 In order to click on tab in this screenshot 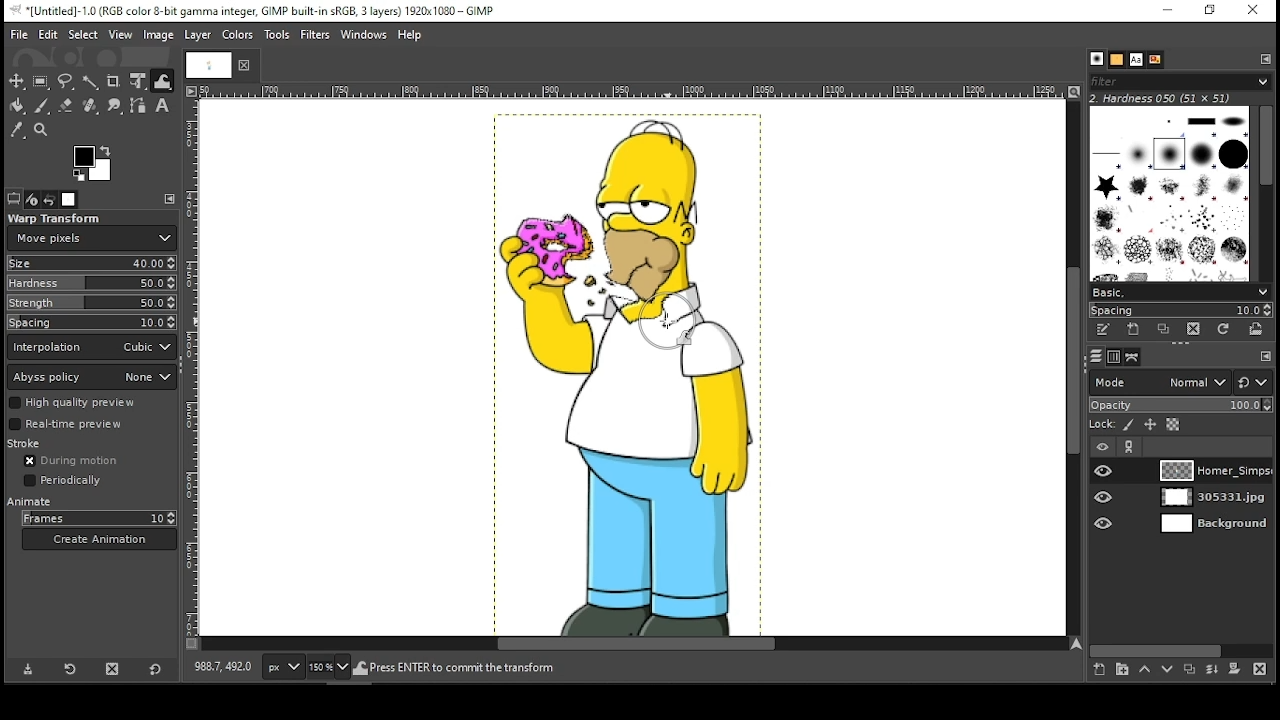, I will do `click(211, 67)`.